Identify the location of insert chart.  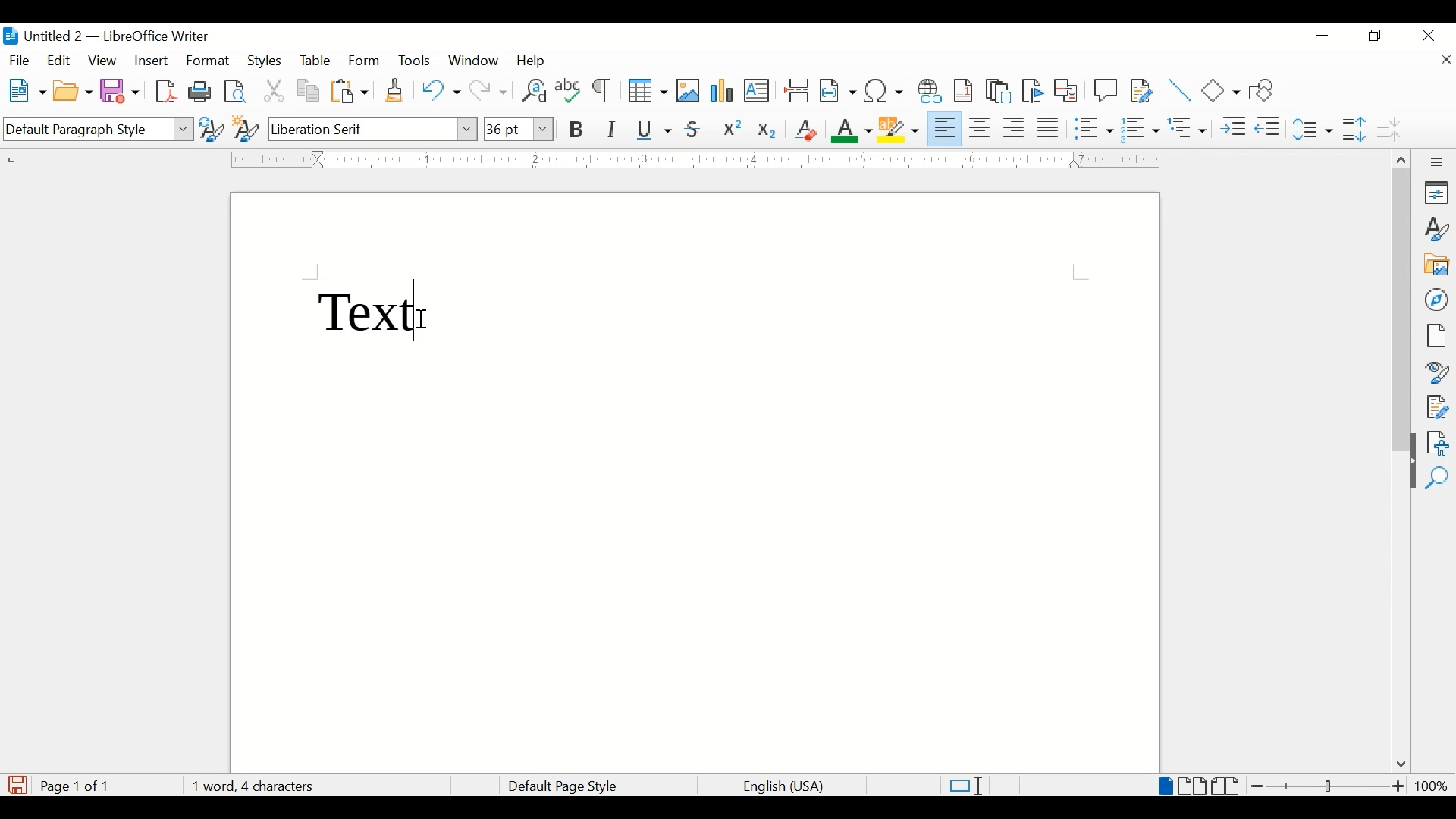
(723, 92).